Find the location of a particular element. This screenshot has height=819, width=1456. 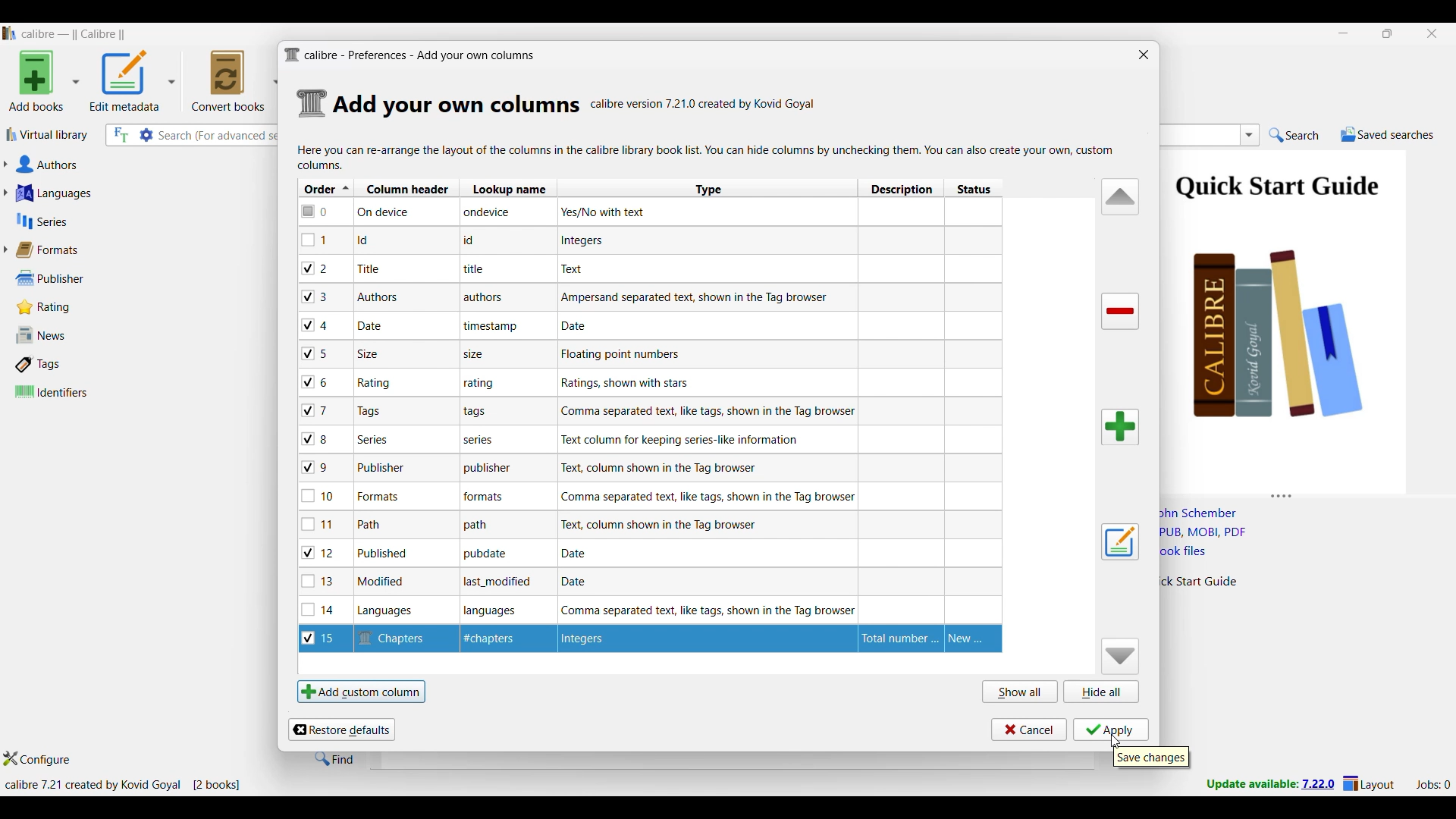

Device is located at coordinates (395, 213).